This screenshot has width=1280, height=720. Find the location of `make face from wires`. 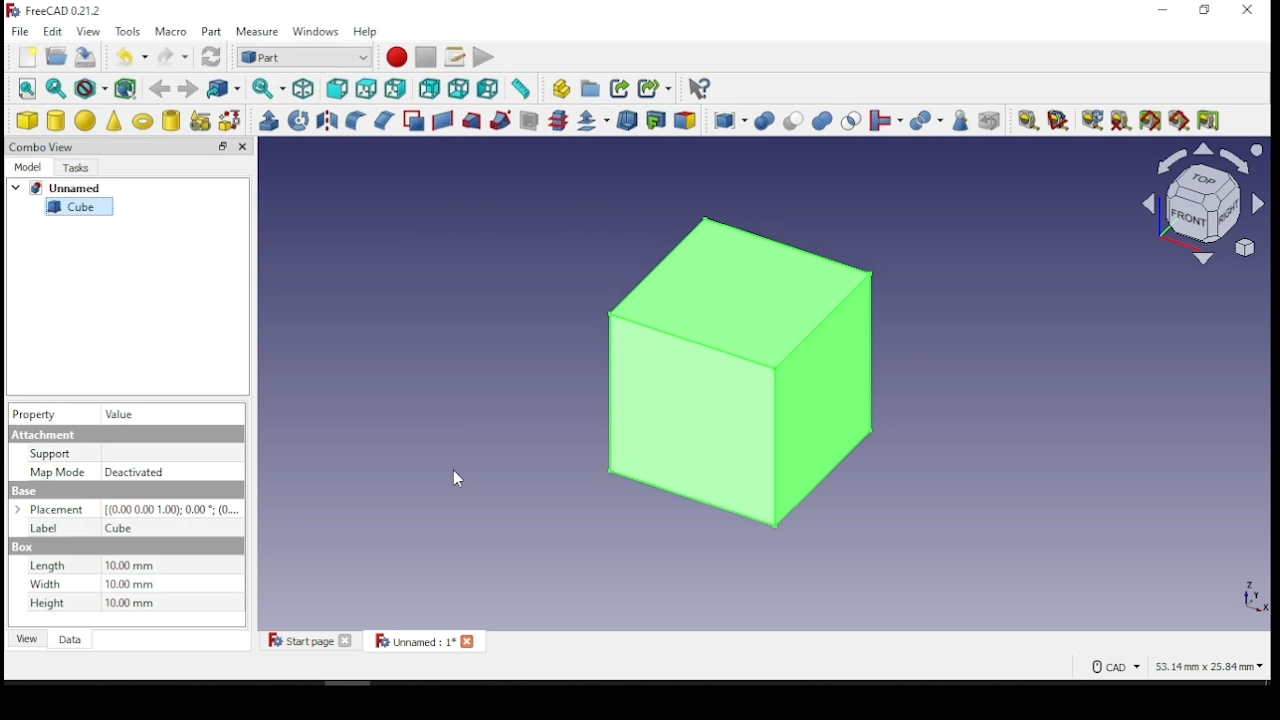

make face from wires is located at coordinates (415, 121).